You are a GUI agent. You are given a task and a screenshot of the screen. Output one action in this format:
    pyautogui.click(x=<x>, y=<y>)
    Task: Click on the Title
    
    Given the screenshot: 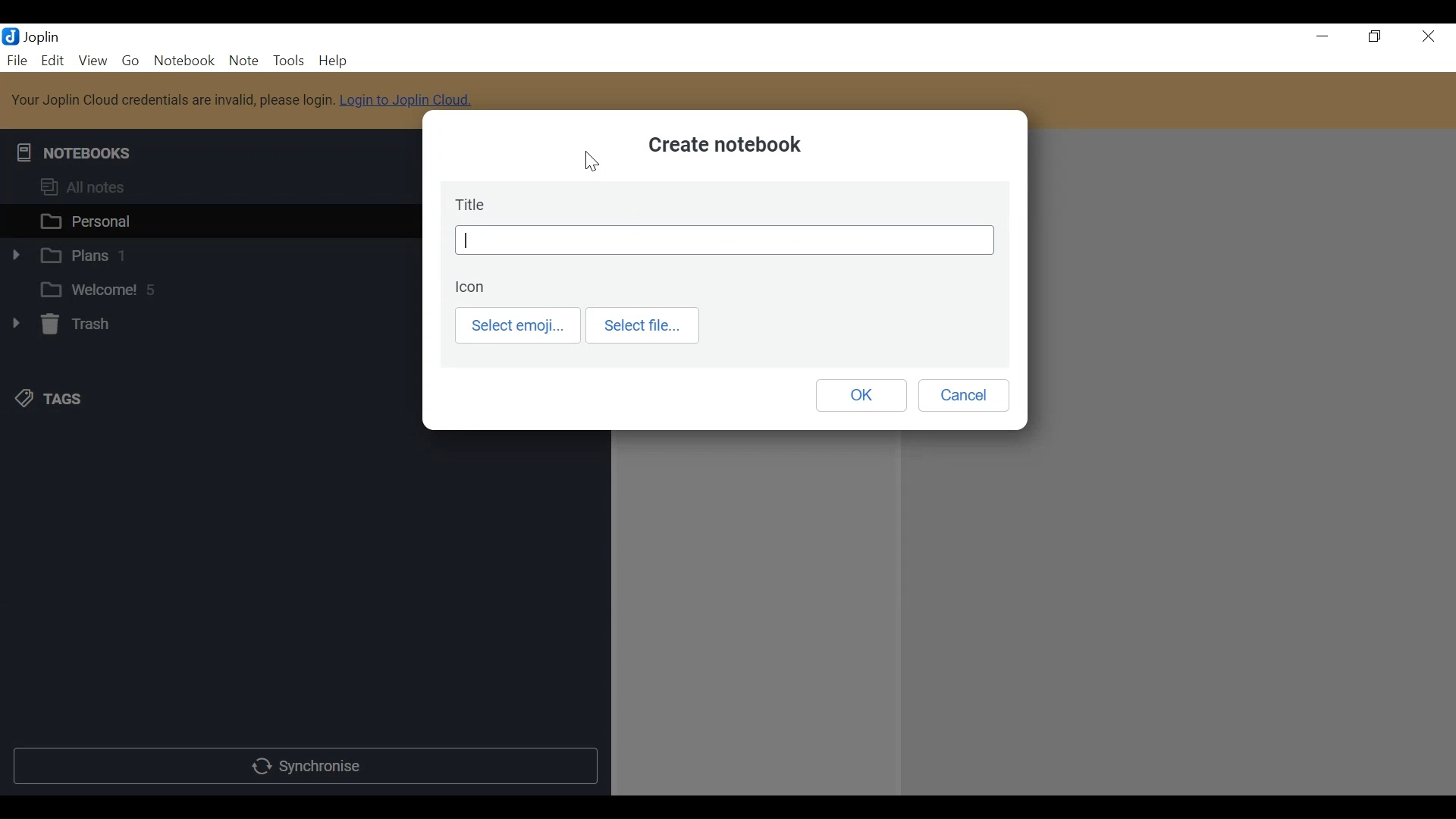 What is the action you would take?
    pyautogui.click(x=475, y=205)
    